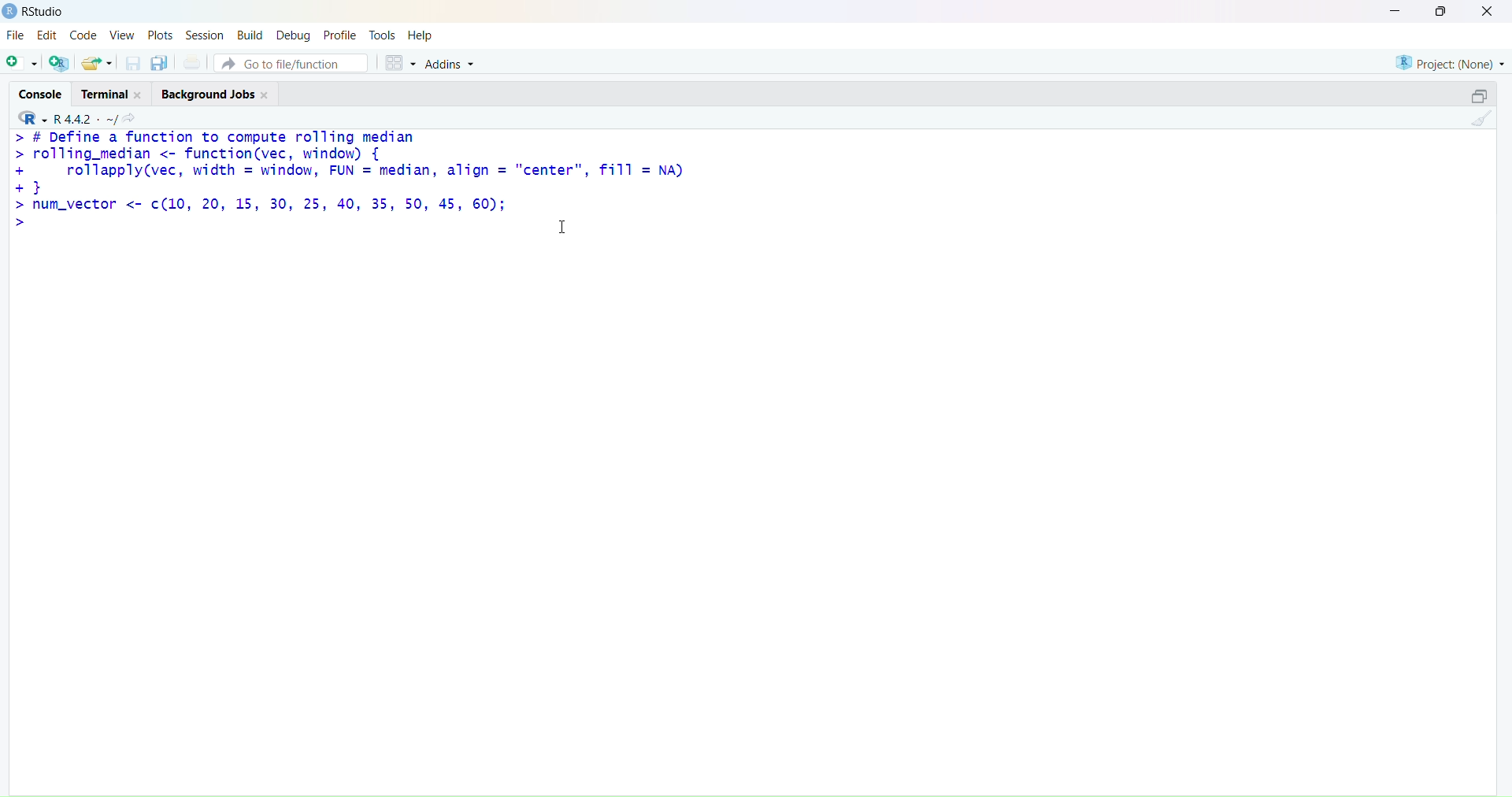 This screenshot has width=1512, height=797. I want to click on tools, so click(383, 35).